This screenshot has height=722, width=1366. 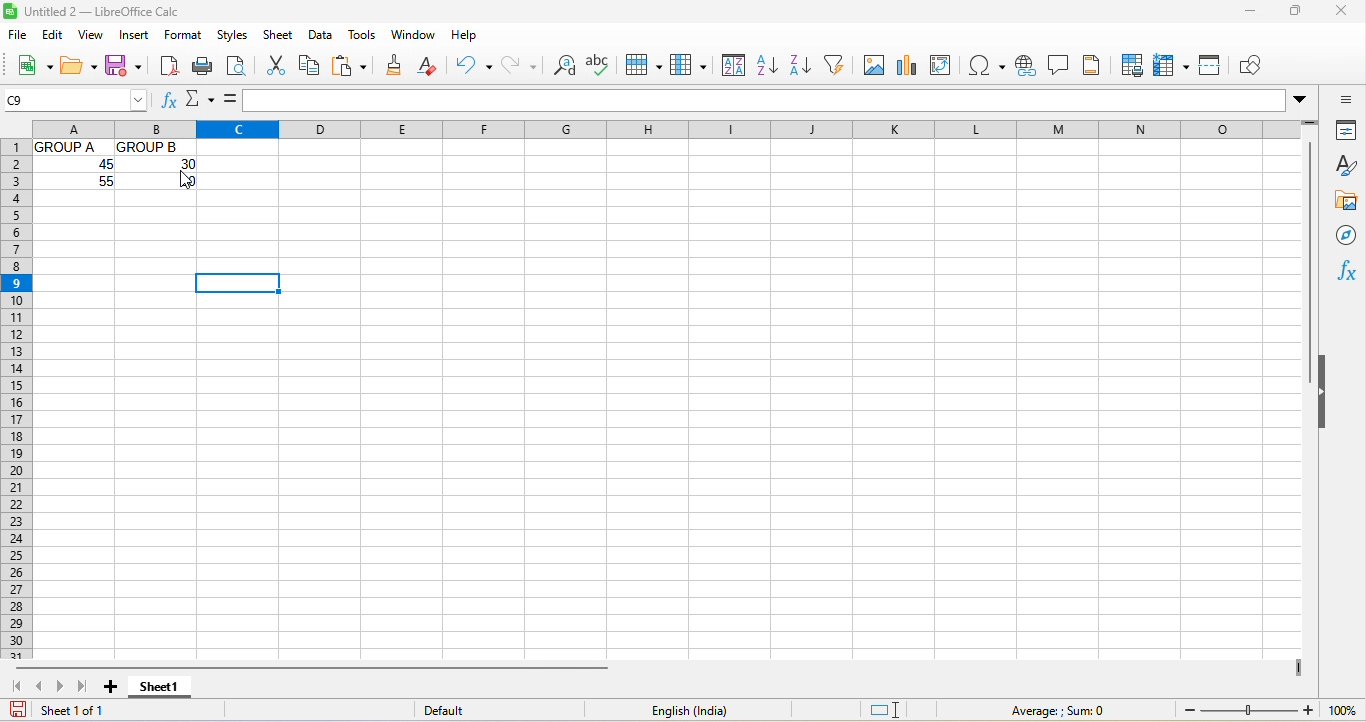 I want to click on print area, so click(x=1135, y=64).